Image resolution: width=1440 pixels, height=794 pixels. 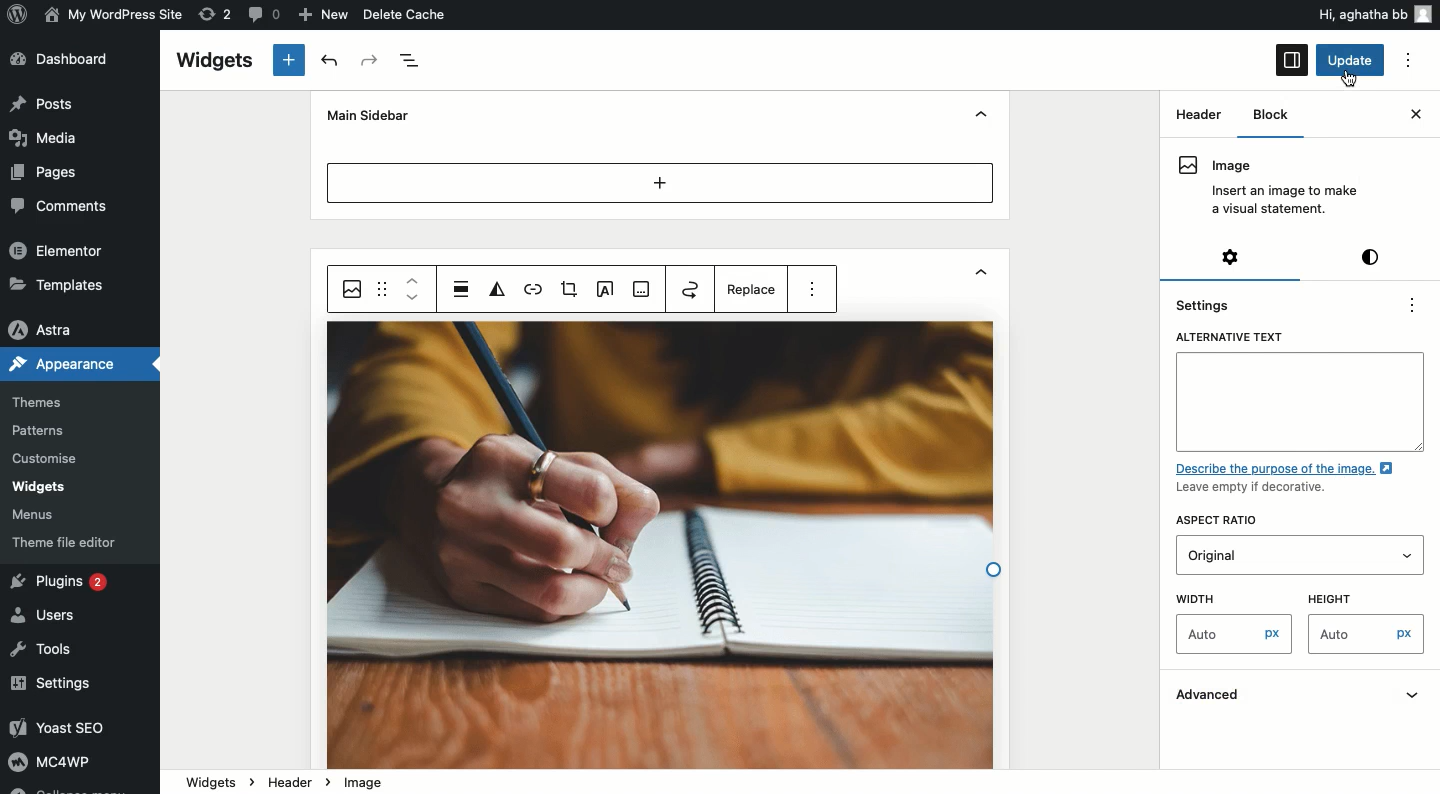 What do you see at coordinates (384, 288) in the screenshot?
I see `Drag` at bounding box center [384, 288].